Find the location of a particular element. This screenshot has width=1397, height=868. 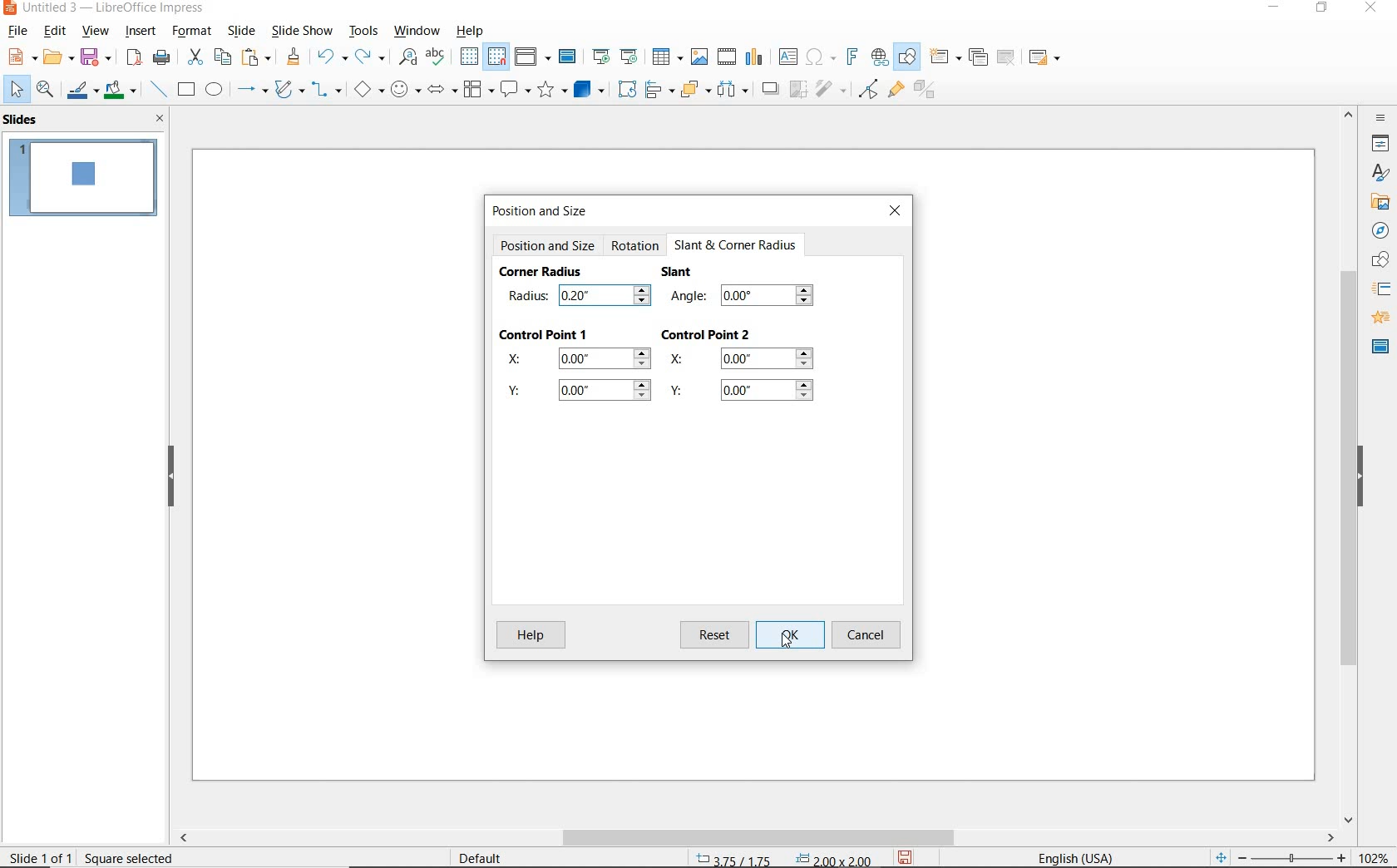

spelling is located at coordinates (438, 60).